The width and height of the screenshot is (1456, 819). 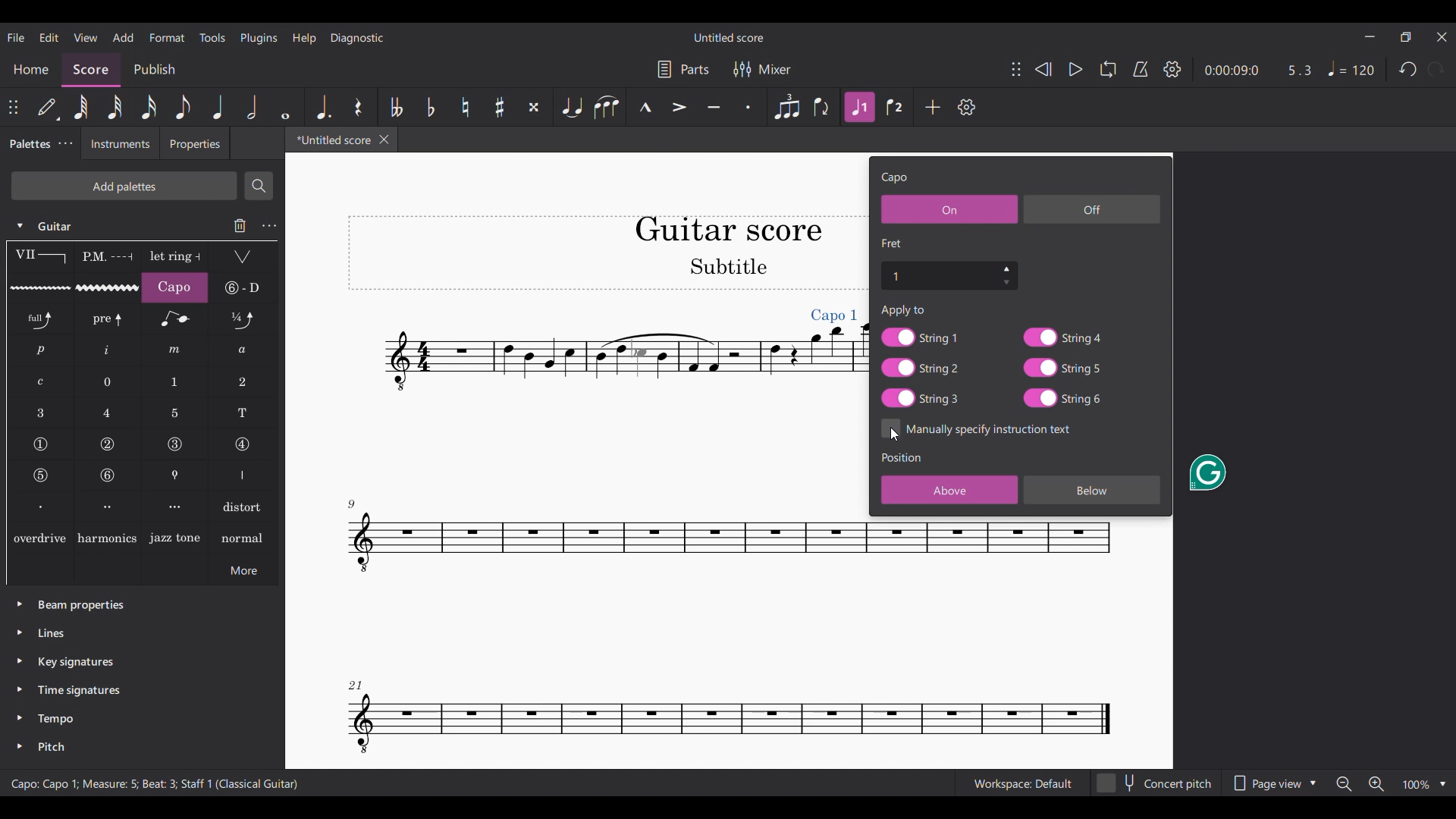 What do you see at coordinates (40, 413) in the screenshot?
I see `LH guitar fingering 3` at bounding box center [40, 413].